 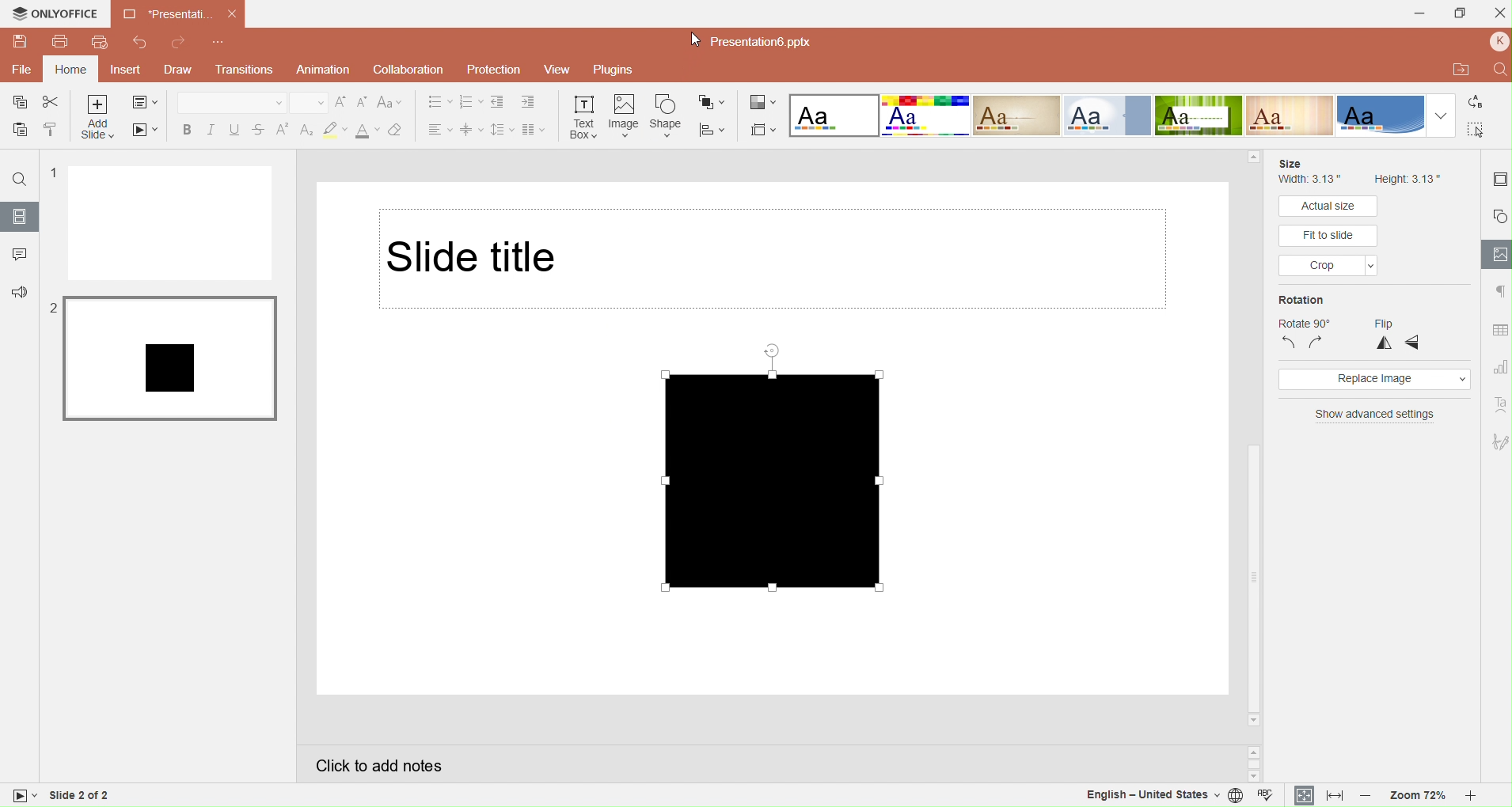 What do you see at coordinates (232, 101) in the screenshot?
I see `Font` at bounding box center [232, 101].